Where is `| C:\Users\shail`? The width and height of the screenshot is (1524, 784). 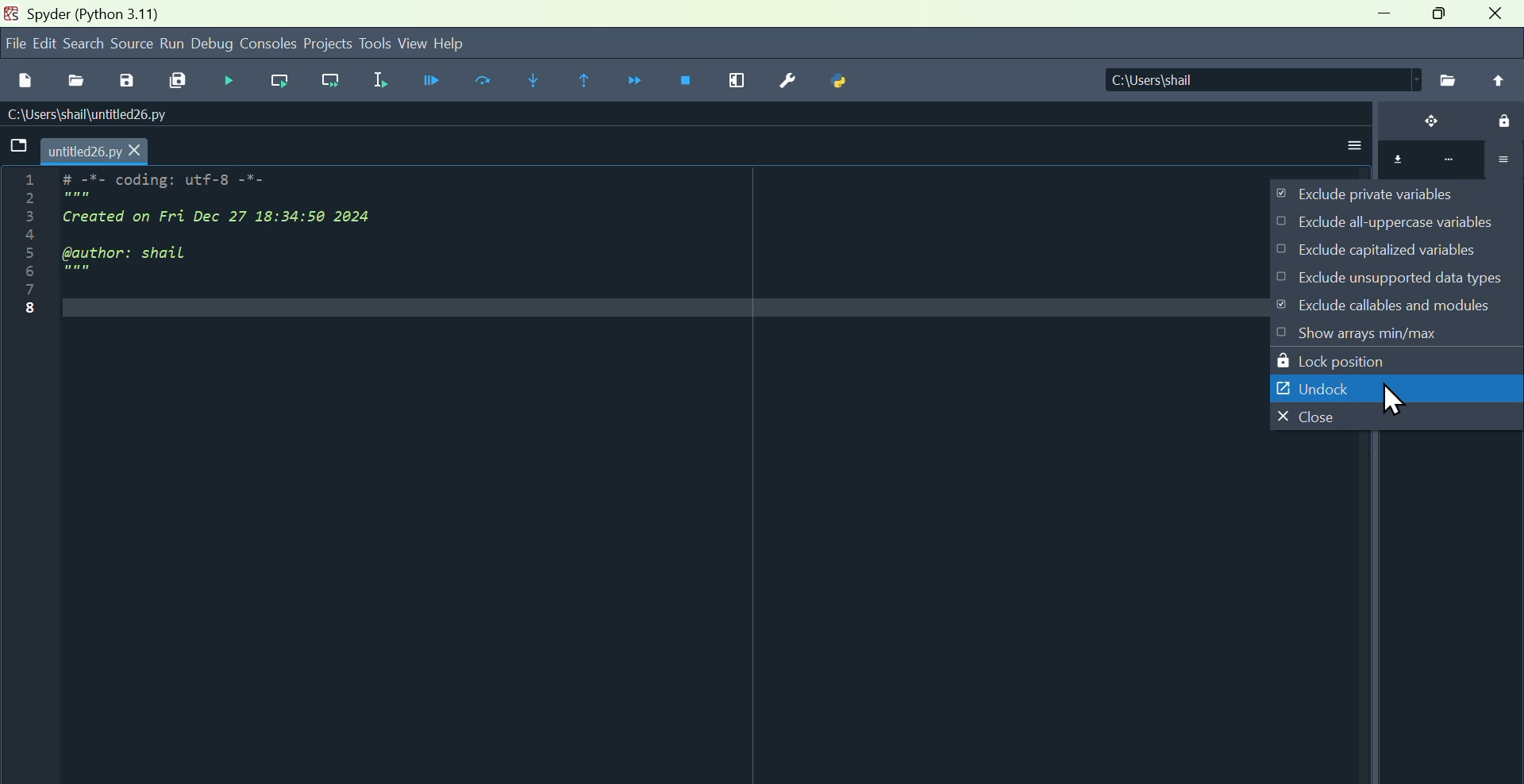
| C:\Users\shail is located at coordinates (1242, 81).